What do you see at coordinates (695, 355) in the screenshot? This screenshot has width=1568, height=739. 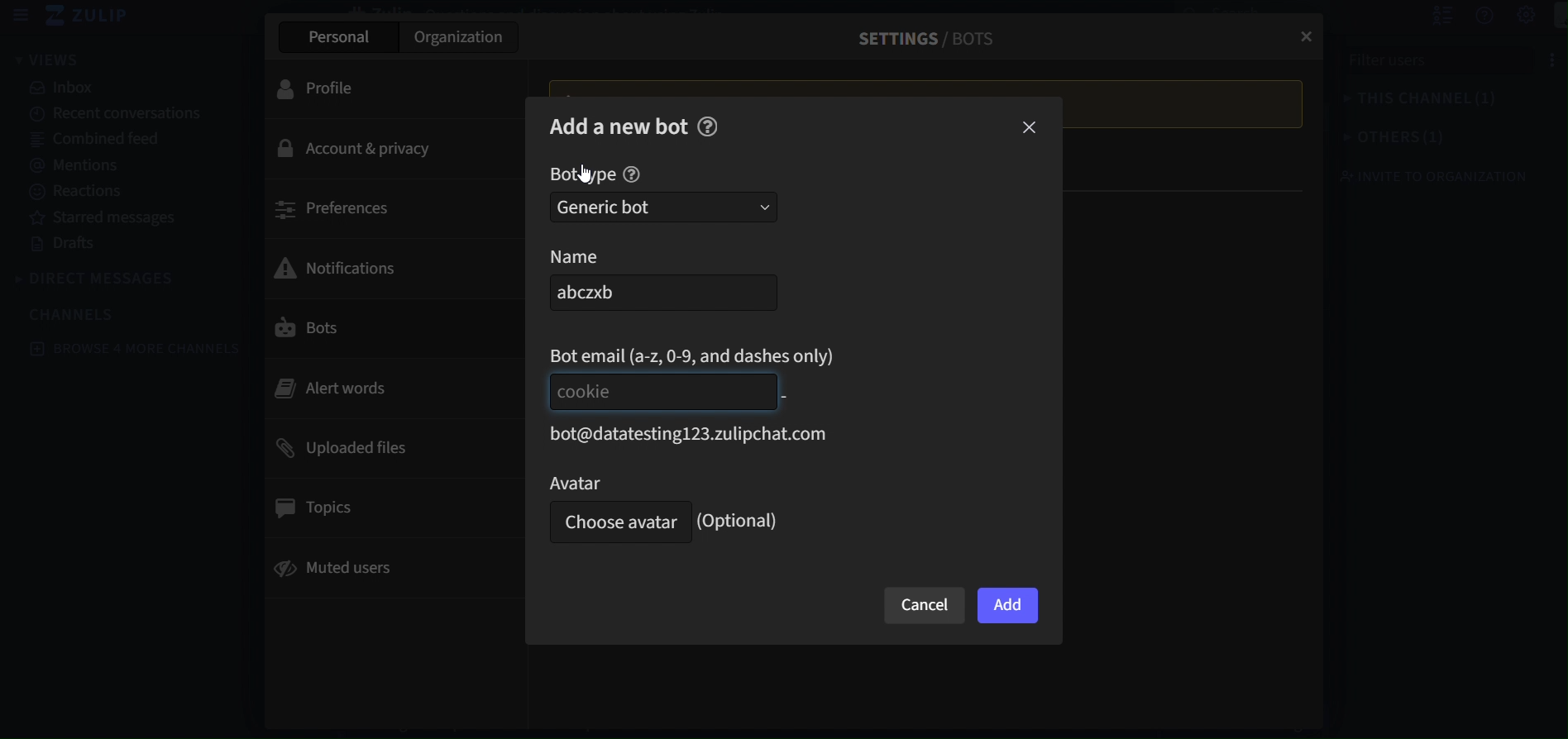 I see `bot email(a-z,0-9, and dashes only)` at bounding box center [695, 355].